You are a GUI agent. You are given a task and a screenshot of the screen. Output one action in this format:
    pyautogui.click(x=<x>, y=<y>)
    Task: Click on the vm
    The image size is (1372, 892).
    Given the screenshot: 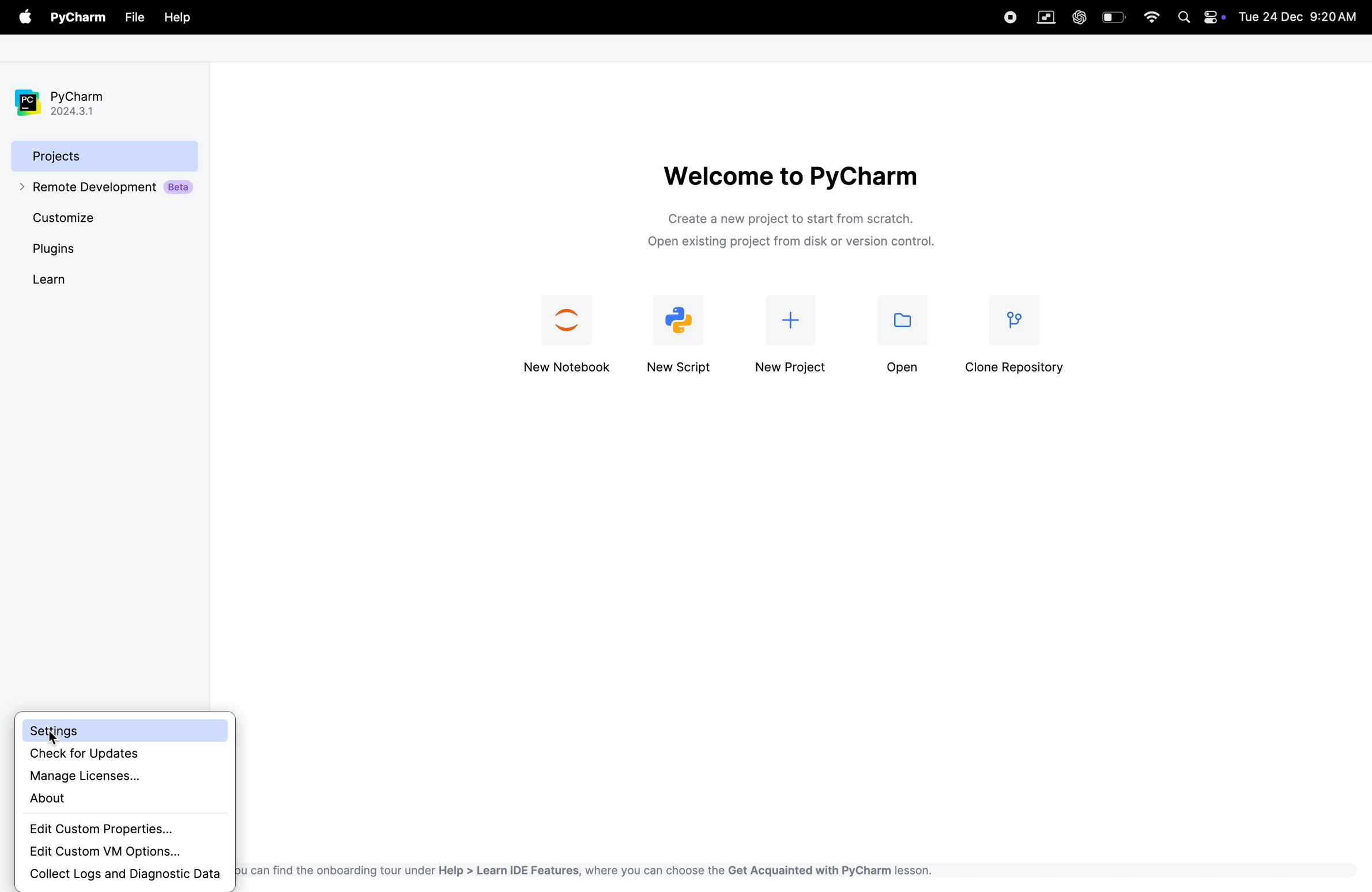 What is the action you would take?
    pyautogui.click(x=1046, y=18)
    